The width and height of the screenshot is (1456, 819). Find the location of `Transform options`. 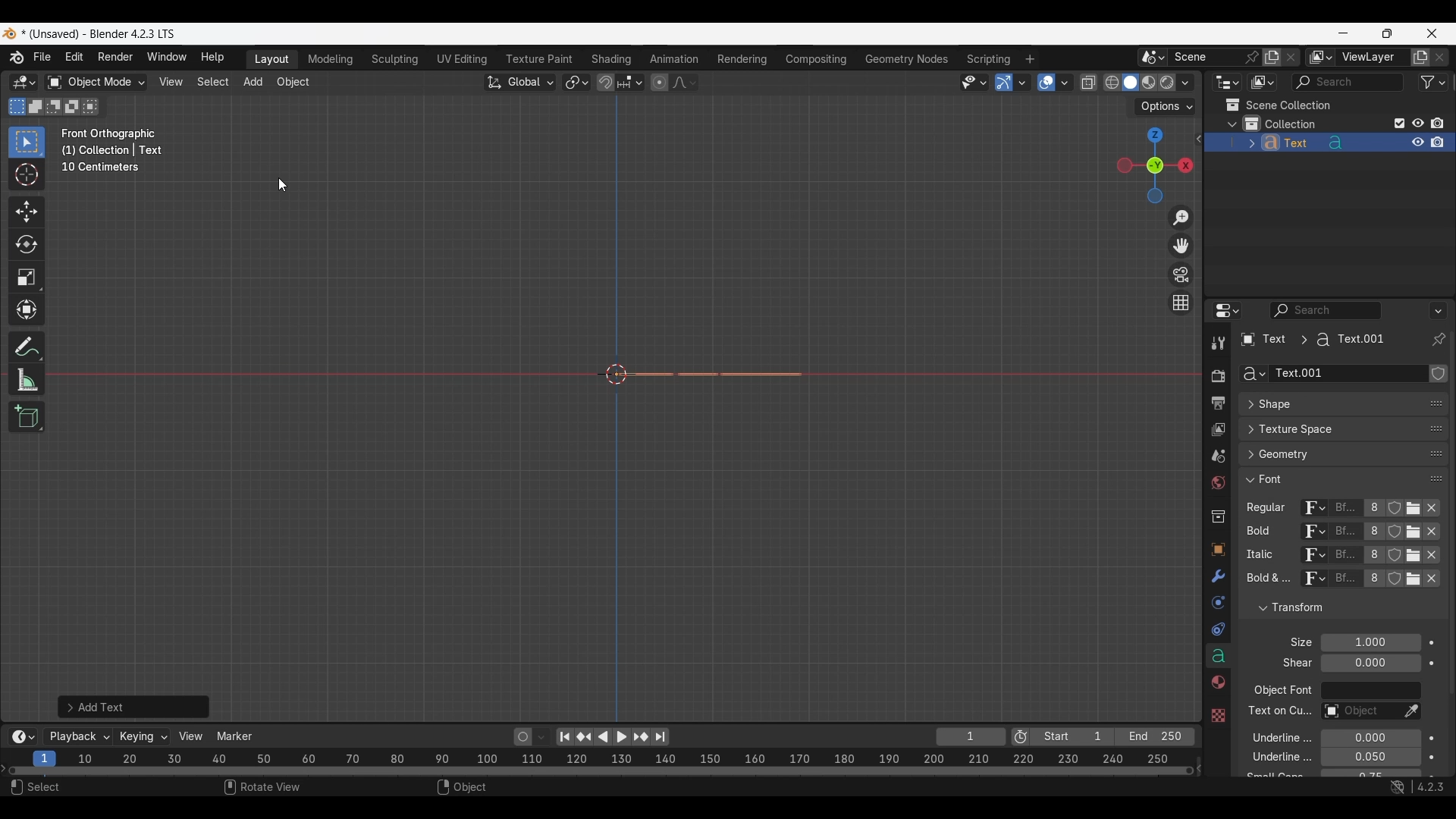

Transform options is located at coordinates (1165, 107).